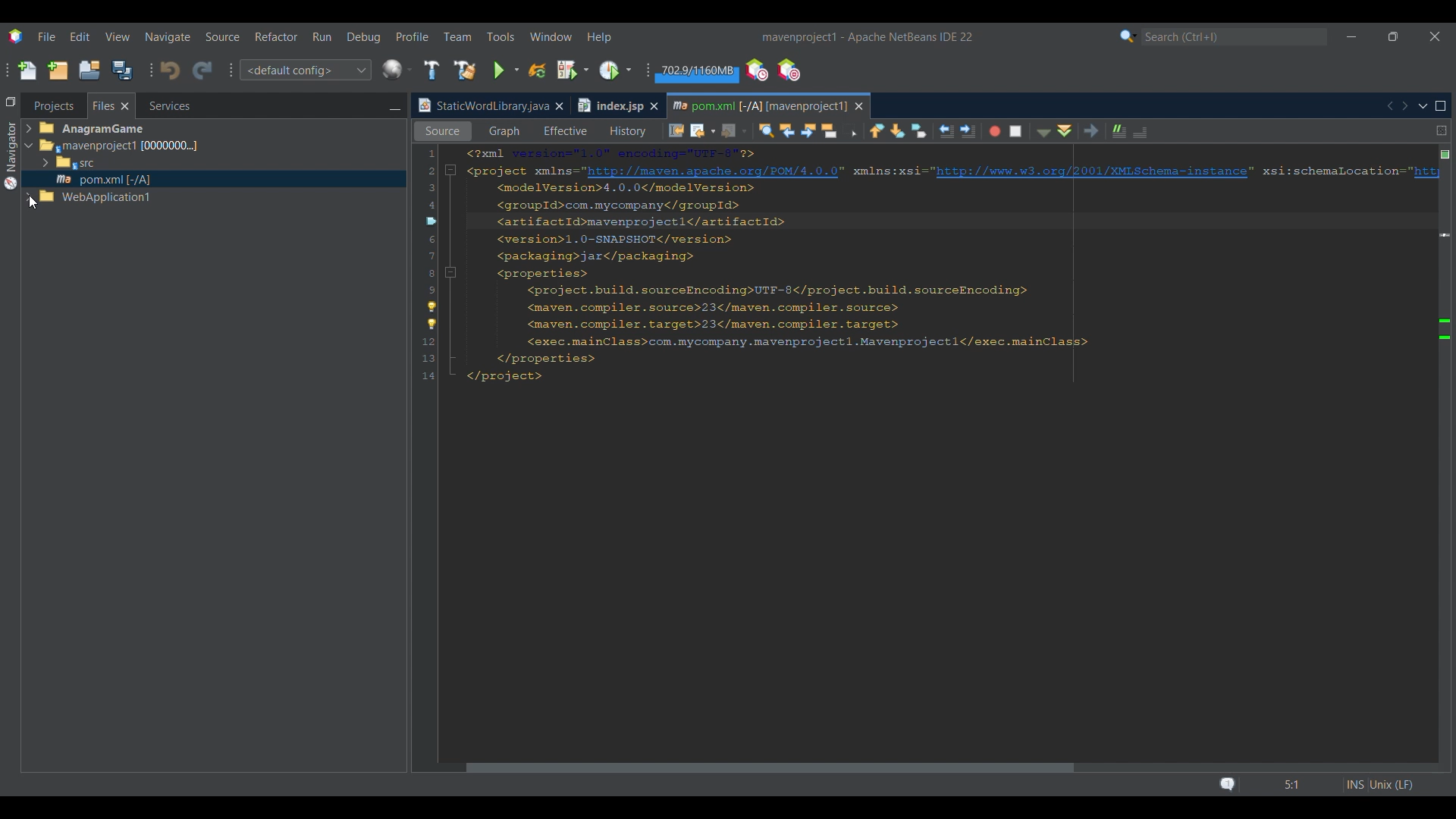 The width and height of the screenshot is (1456, 819). I want to click on Navigate menu, so click(168, 37).